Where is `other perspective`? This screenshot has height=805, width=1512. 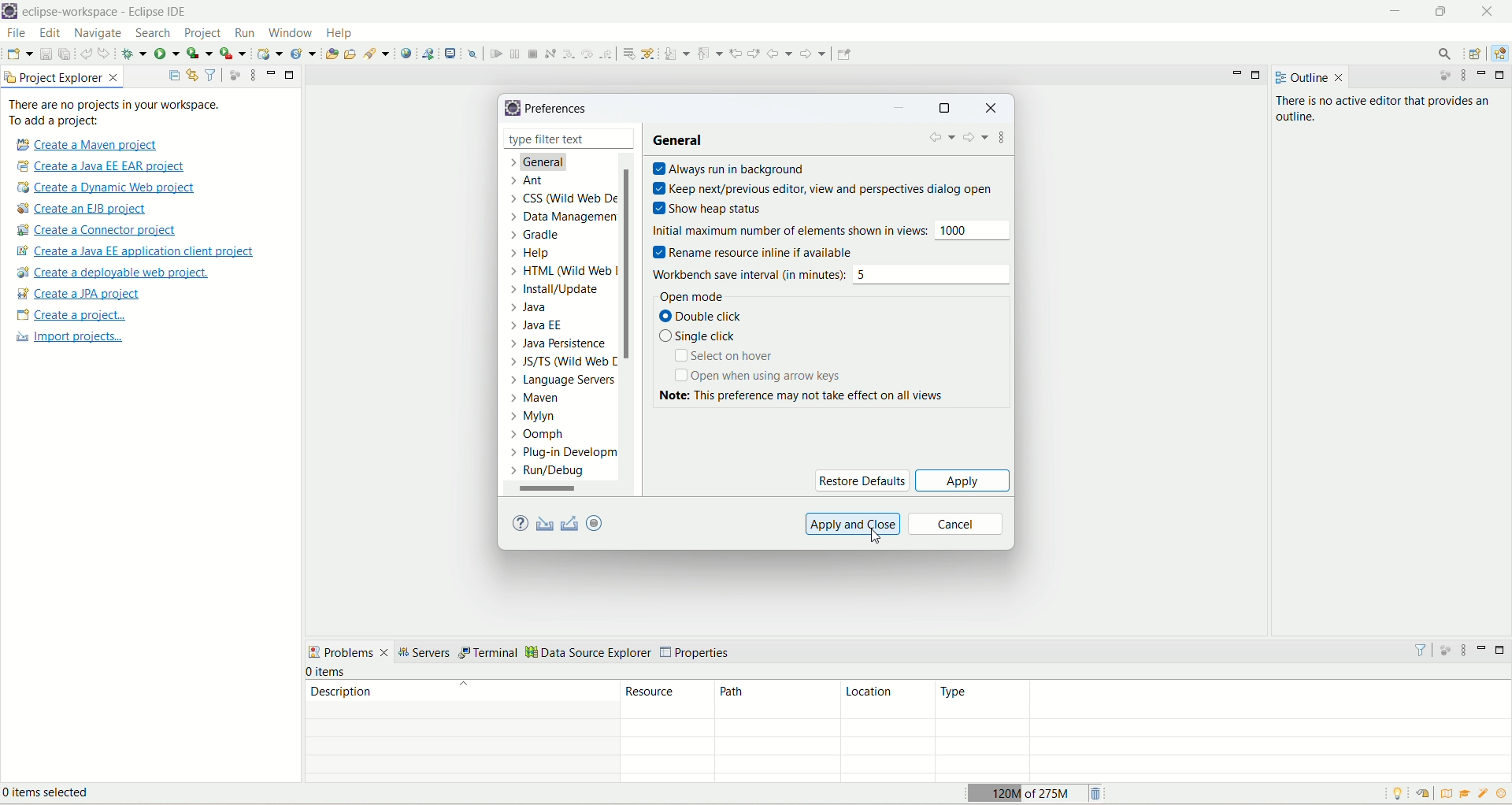 other perspective is located at coordinates (1477, 54).